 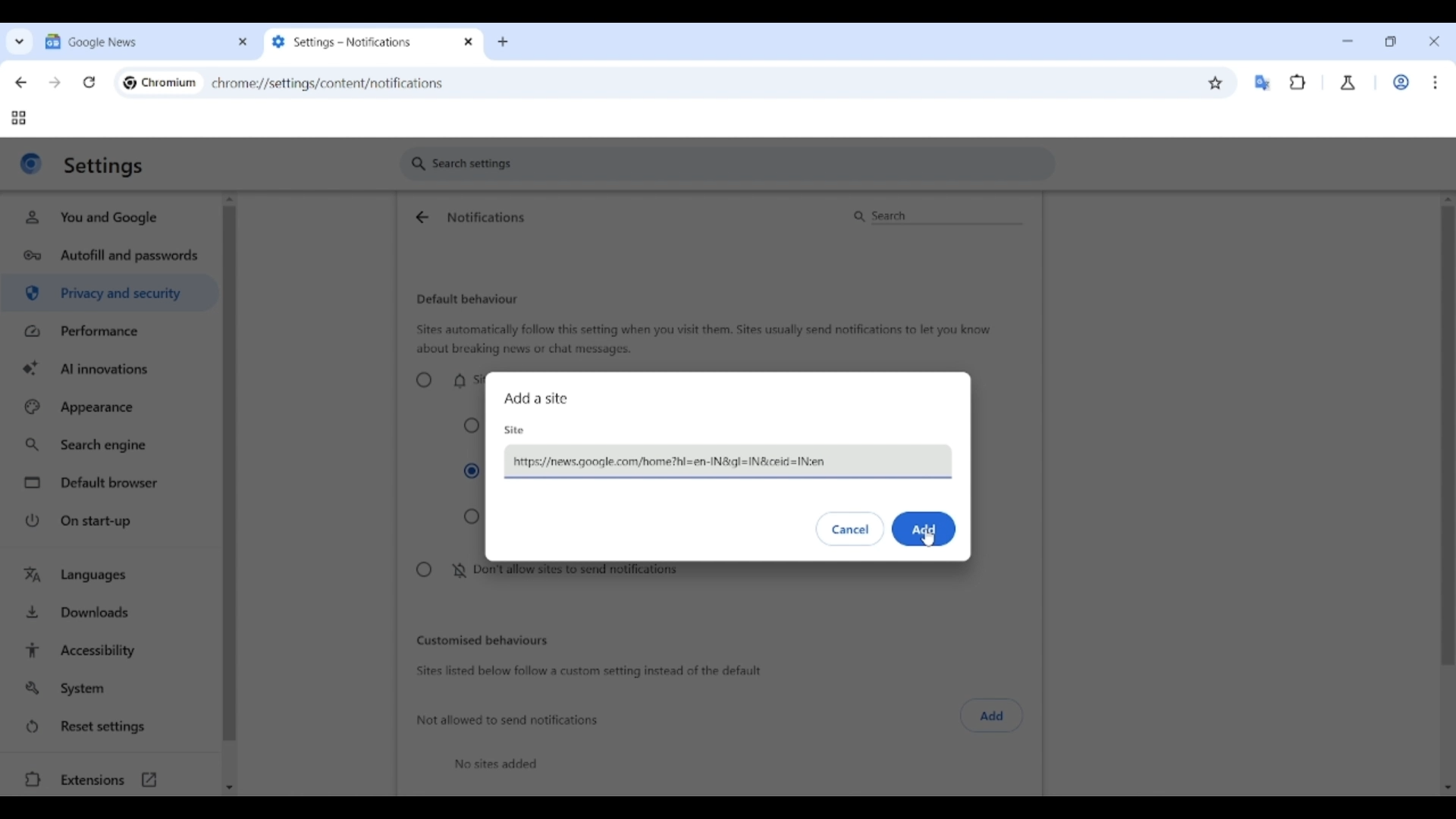 What do you see at coordinates (229, 474) in the screenshot?
I see `Vertical slide bar` at bounding box center [229, 474].